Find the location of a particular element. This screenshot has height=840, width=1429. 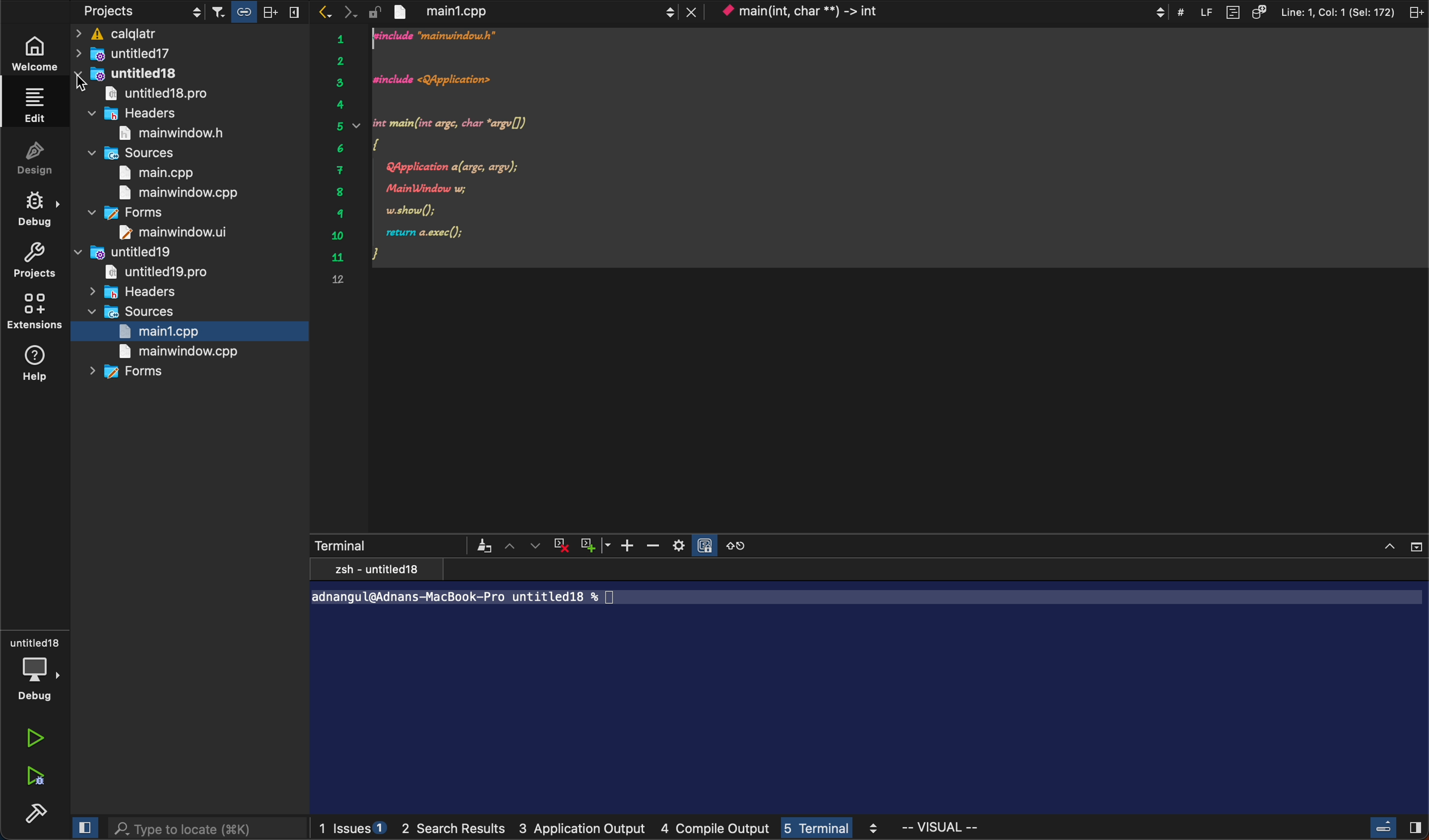

arrows is located at coordinates (519, 545).